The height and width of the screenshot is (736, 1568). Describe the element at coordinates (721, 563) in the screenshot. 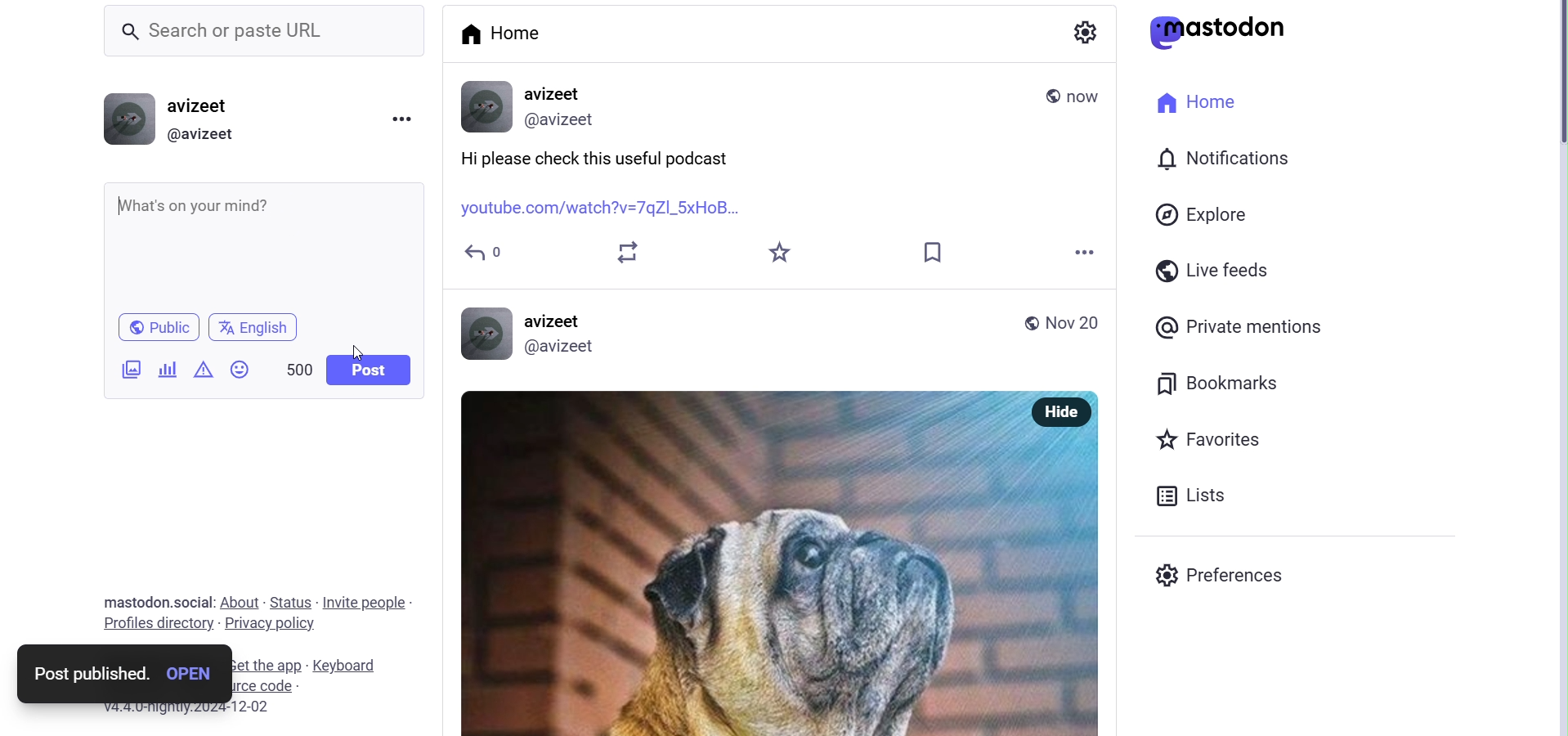

I see `image` at that location.